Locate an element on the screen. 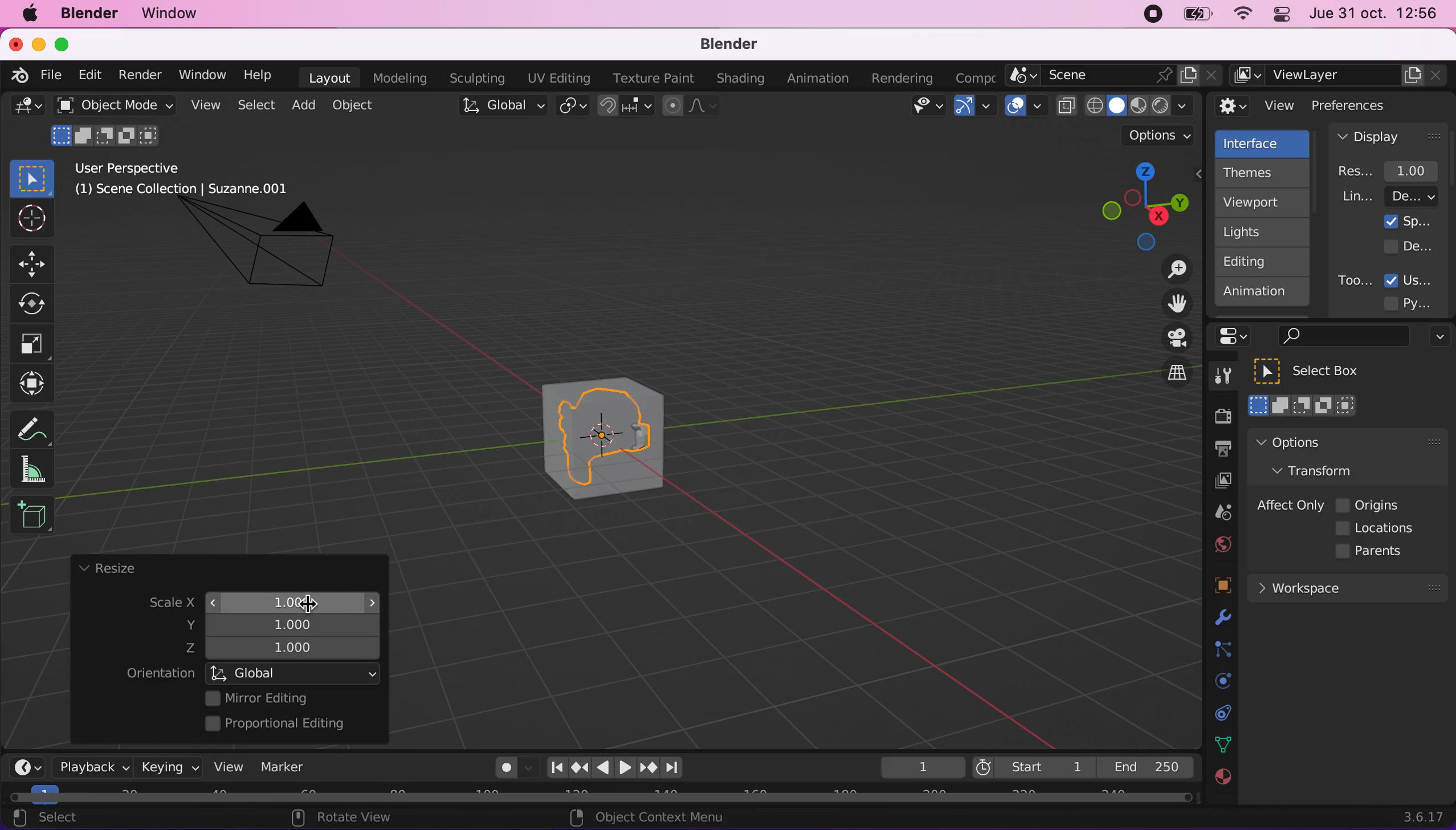  select box mode is located at coordinates (1303, 405).